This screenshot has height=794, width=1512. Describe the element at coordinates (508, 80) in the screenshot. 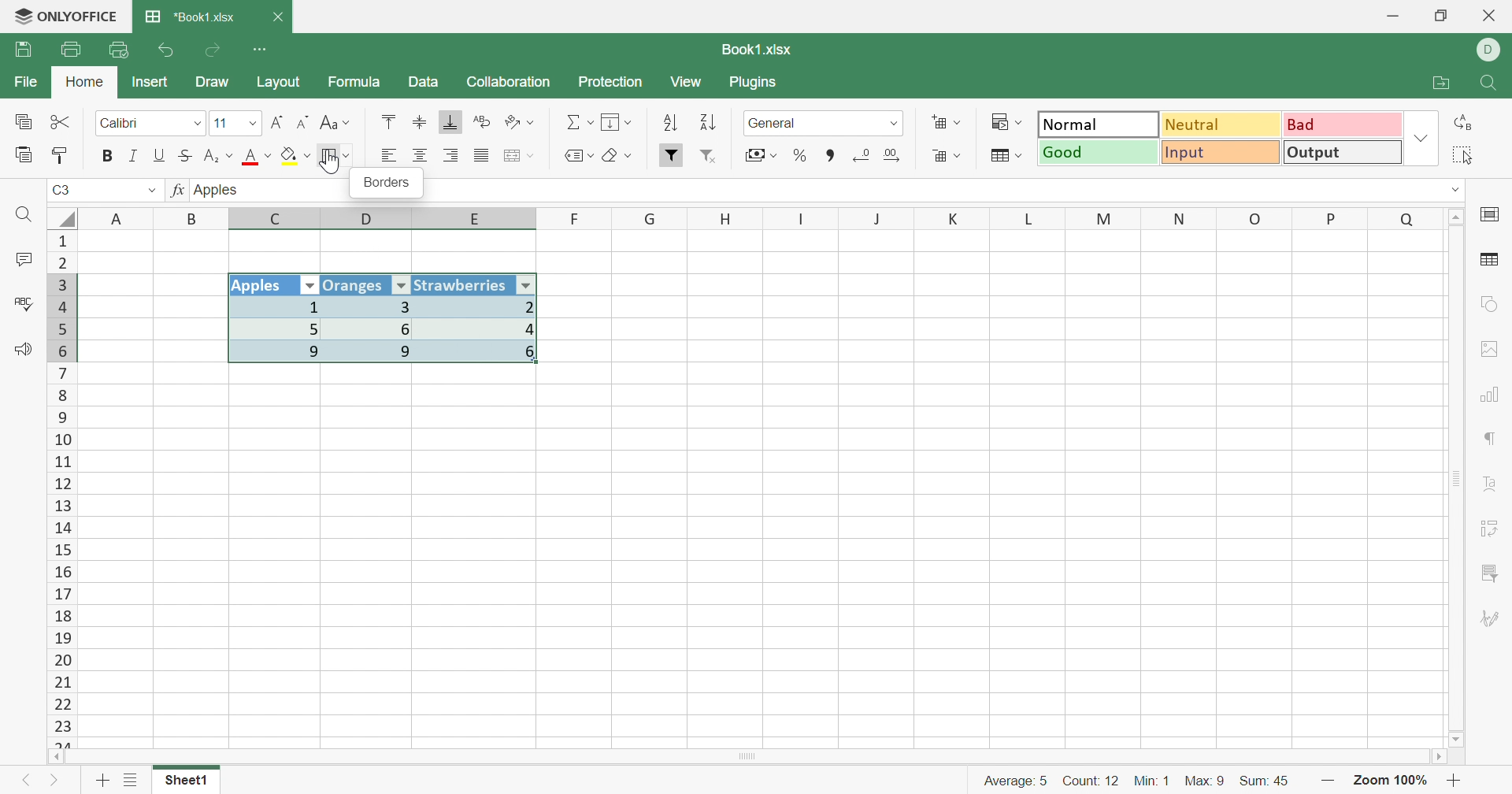

I see `Collaboration` at that location.